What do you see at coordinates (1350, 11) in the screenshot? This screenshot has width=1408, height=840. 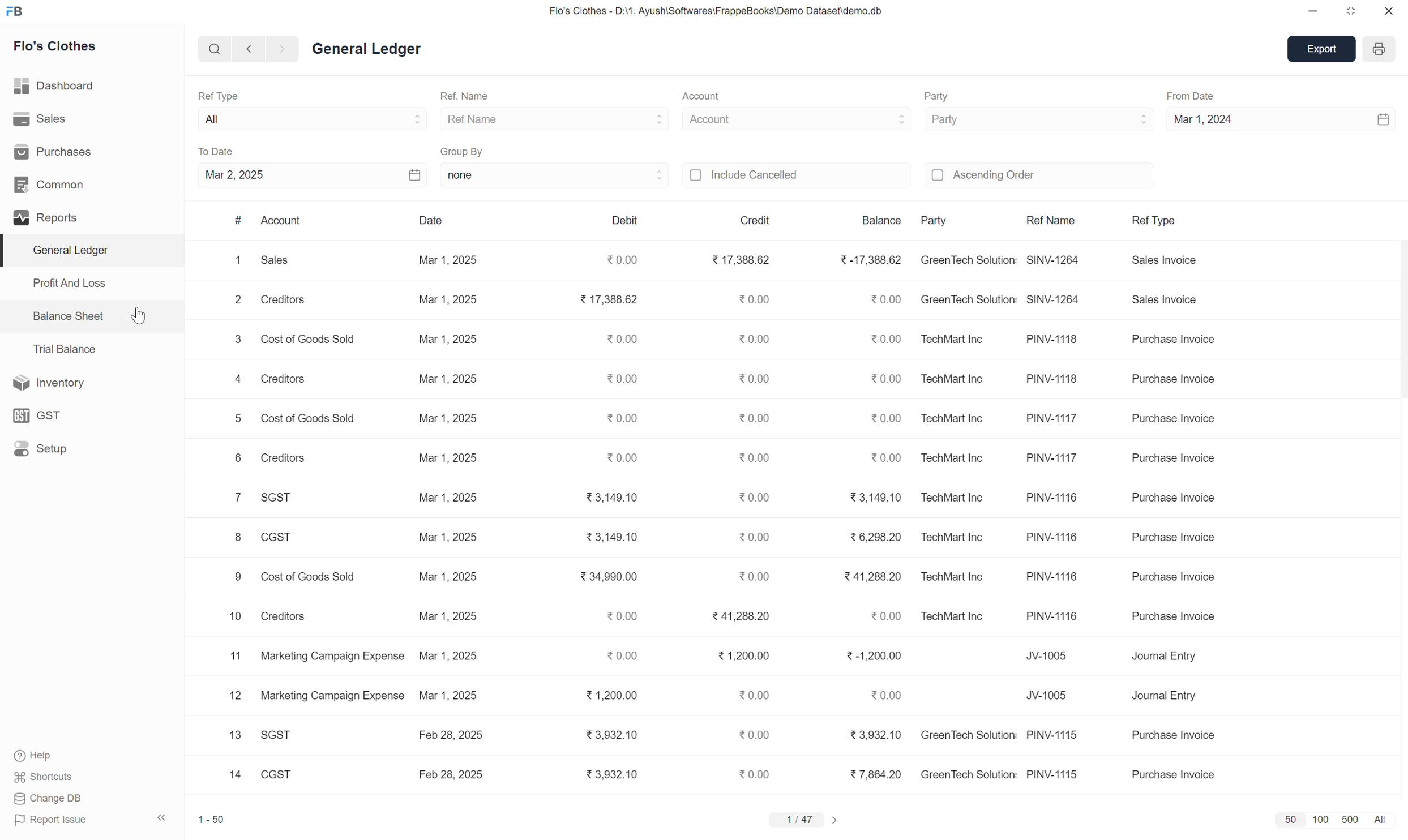 I see `maximize` at bounding box center [1350, 11].